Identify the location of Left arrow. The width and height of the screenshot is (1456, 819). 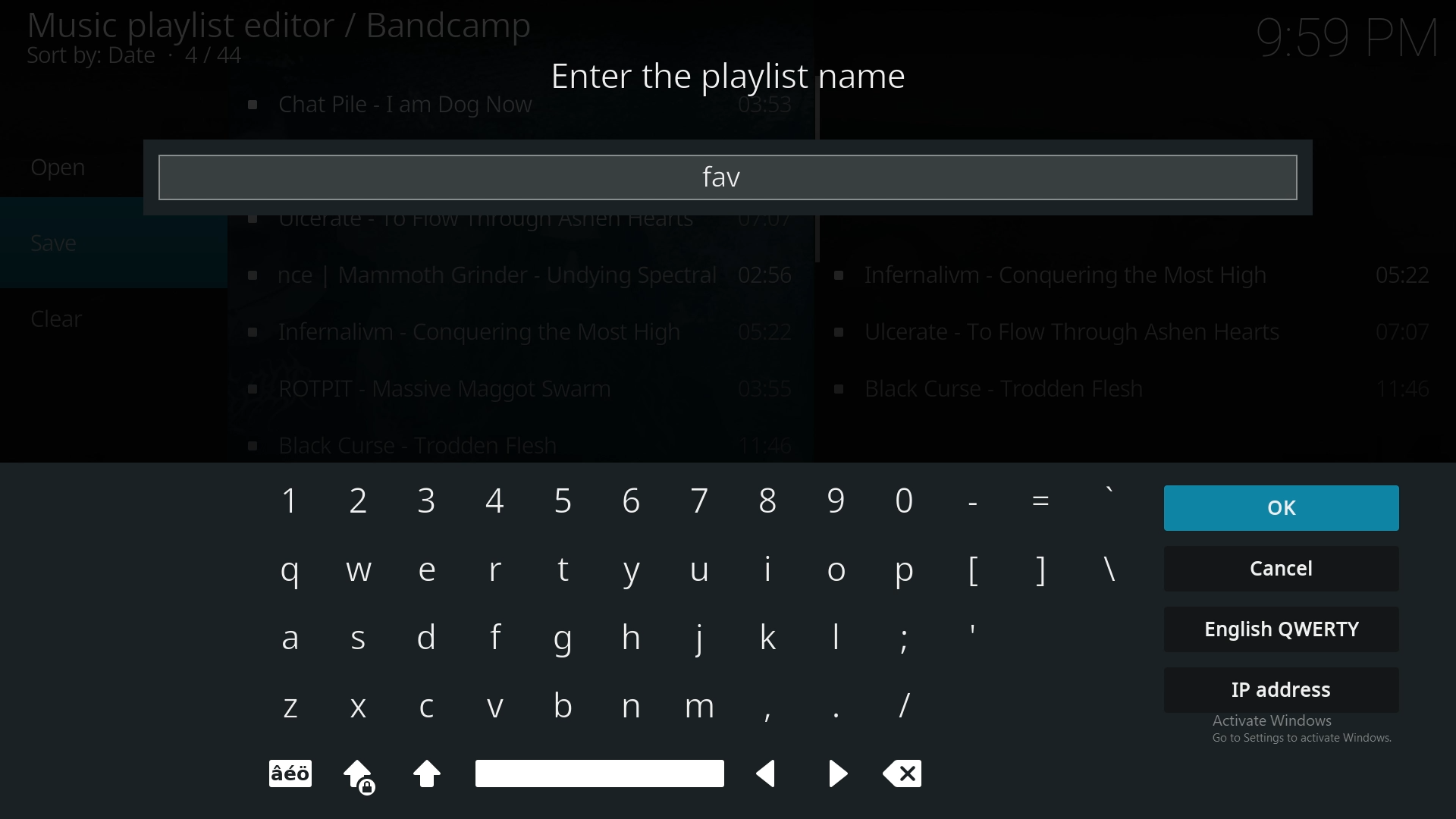
(772, 773).